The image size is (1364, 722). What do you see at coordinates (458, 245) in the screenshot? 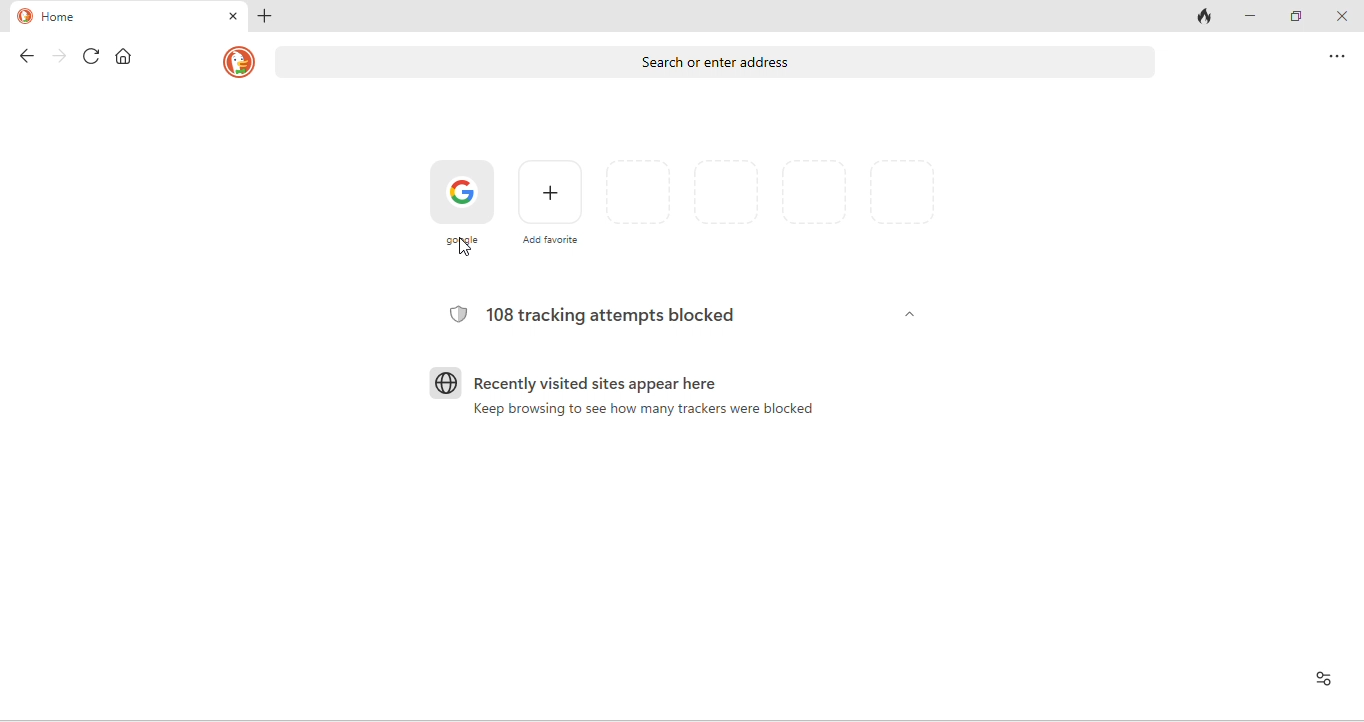
I see `cursor` at bounding box center [458, 245].